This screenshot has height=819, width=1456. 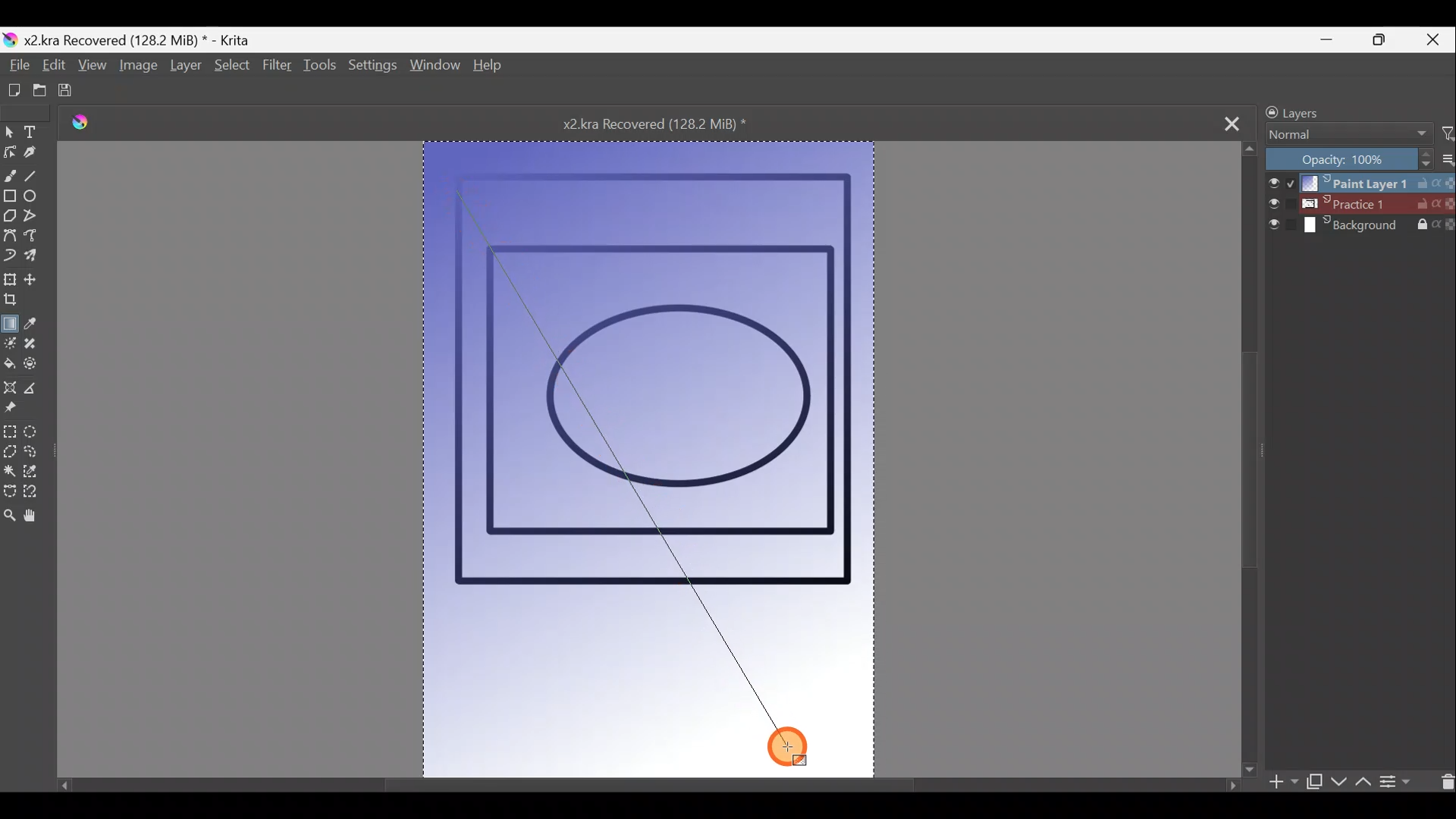 What do you see at coordinates (1443, 780) in the screenshot?
I see `Delete layer/mask` at bounding box center [1443, 780].